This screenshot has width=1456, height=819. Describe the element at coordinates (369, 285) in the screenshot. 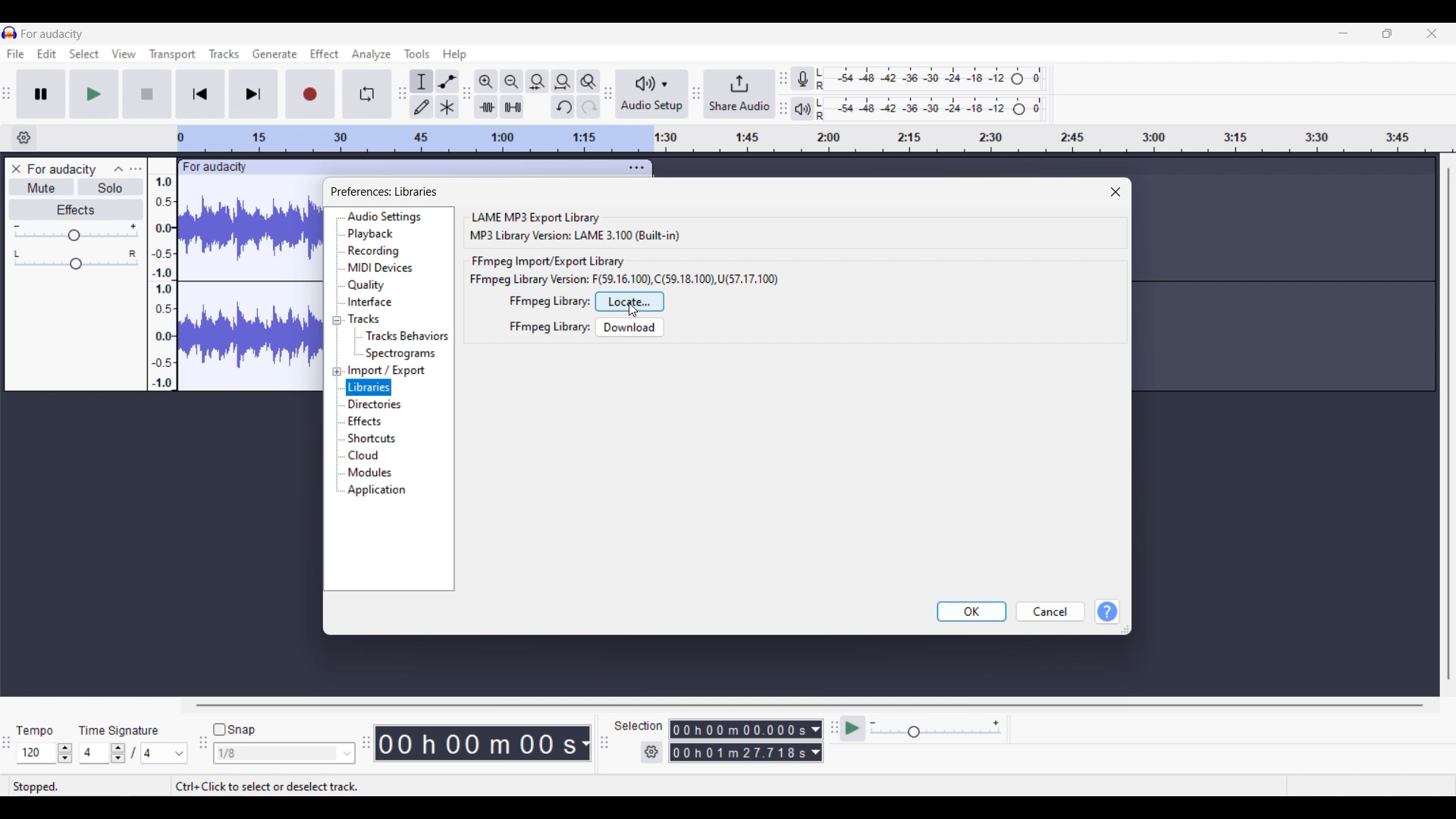

I see `Quality` at that location.